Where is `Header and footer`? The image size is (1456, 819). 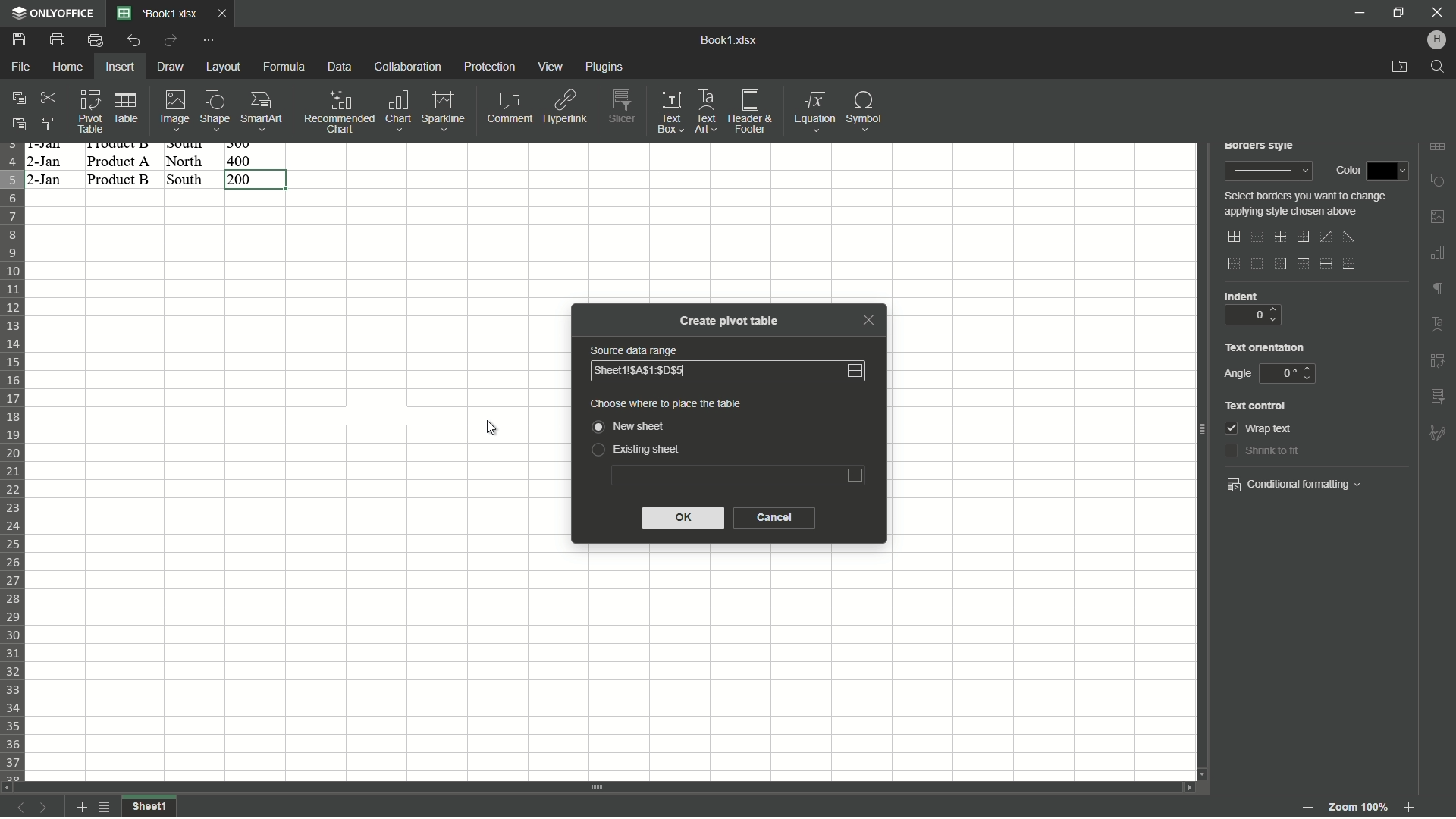
Header and footer is located at coordinates (755, 112).